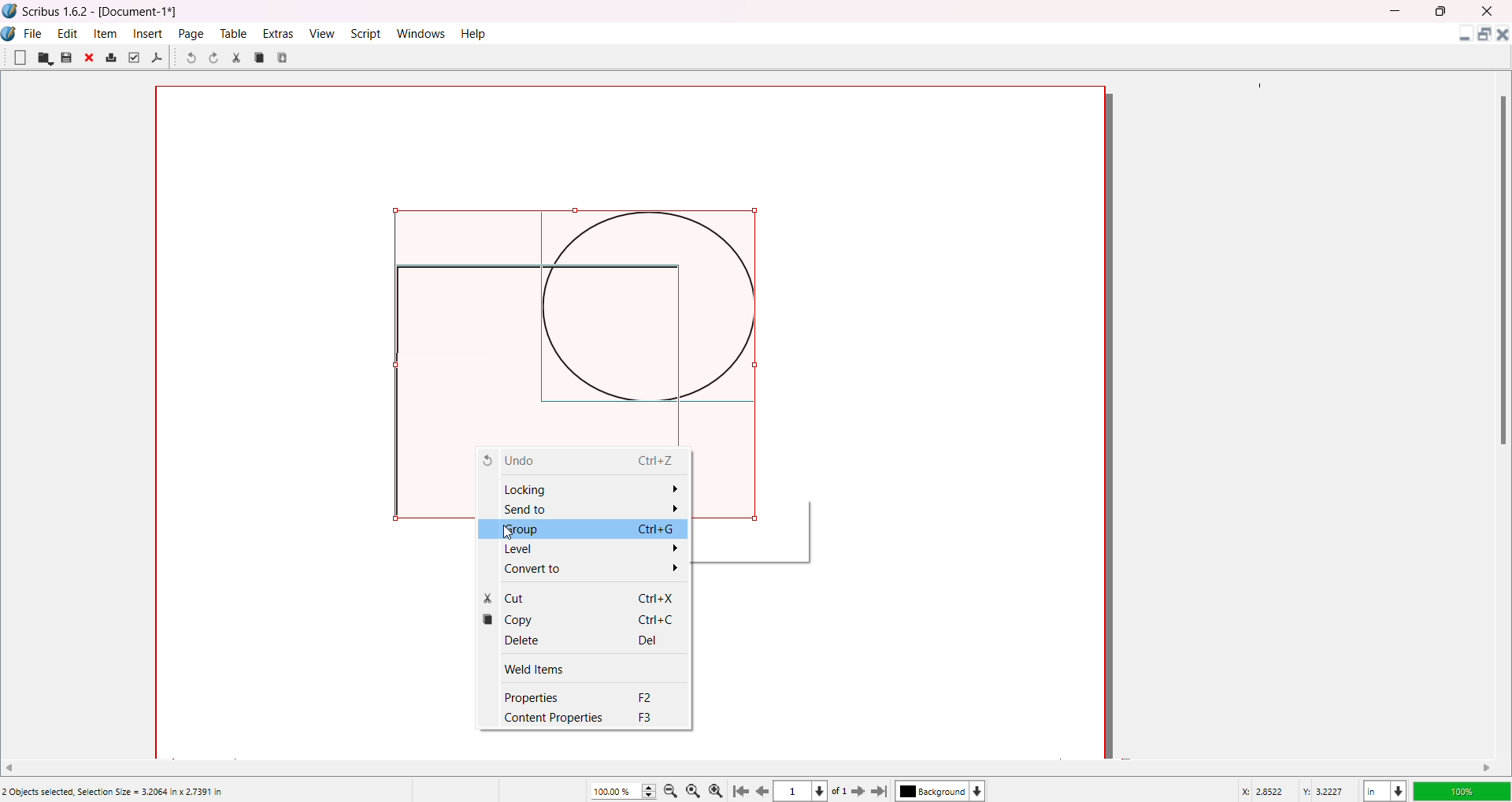 The width and height of the screenshot is (1512, 802). What do you see at coordinates (1499, 269) in the screenshot?
I see `Scroll Bar` at bounding box center [1499, 269].